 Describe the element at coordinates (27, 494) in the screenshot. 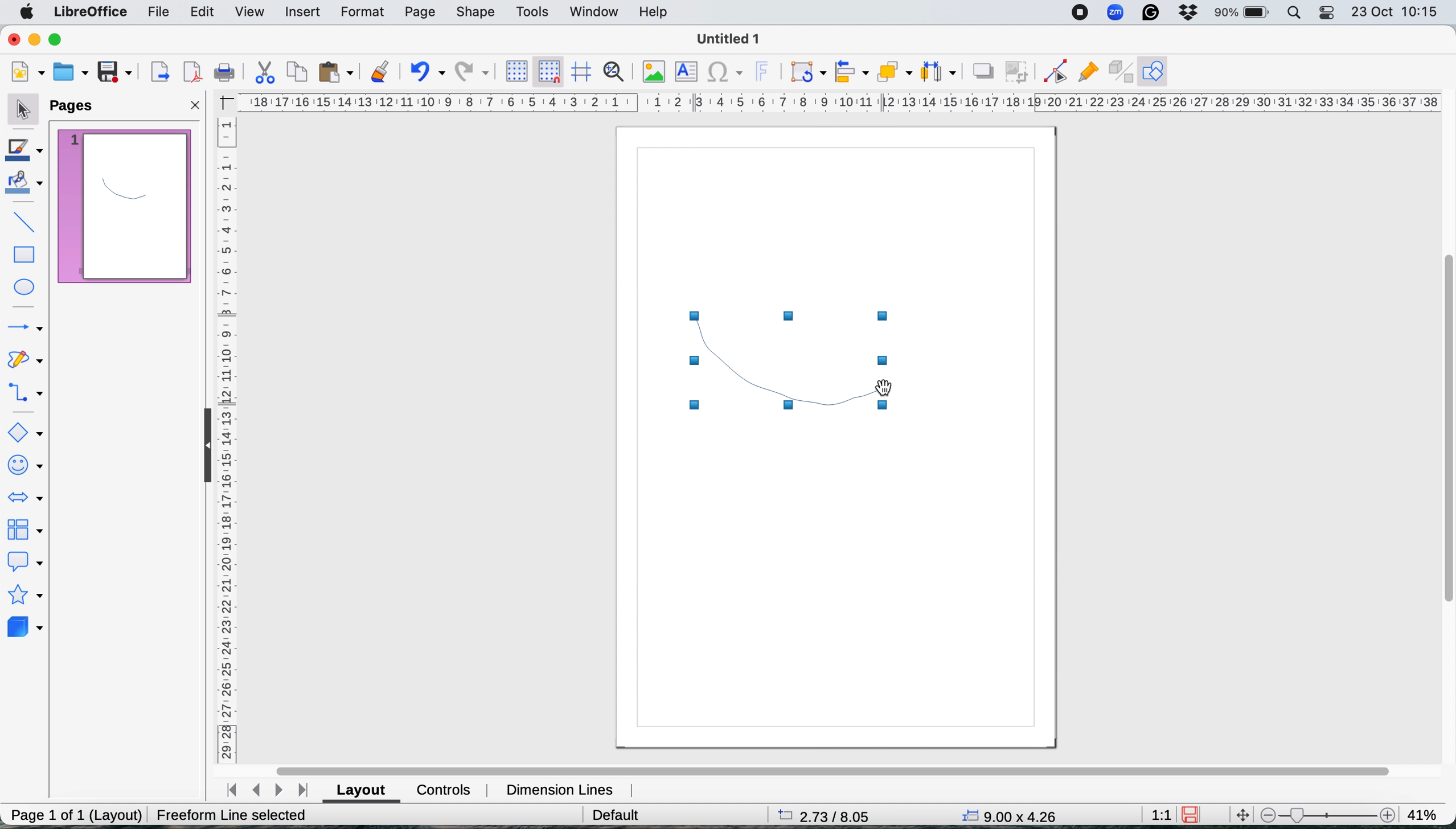

I see `block arrows` at that location.